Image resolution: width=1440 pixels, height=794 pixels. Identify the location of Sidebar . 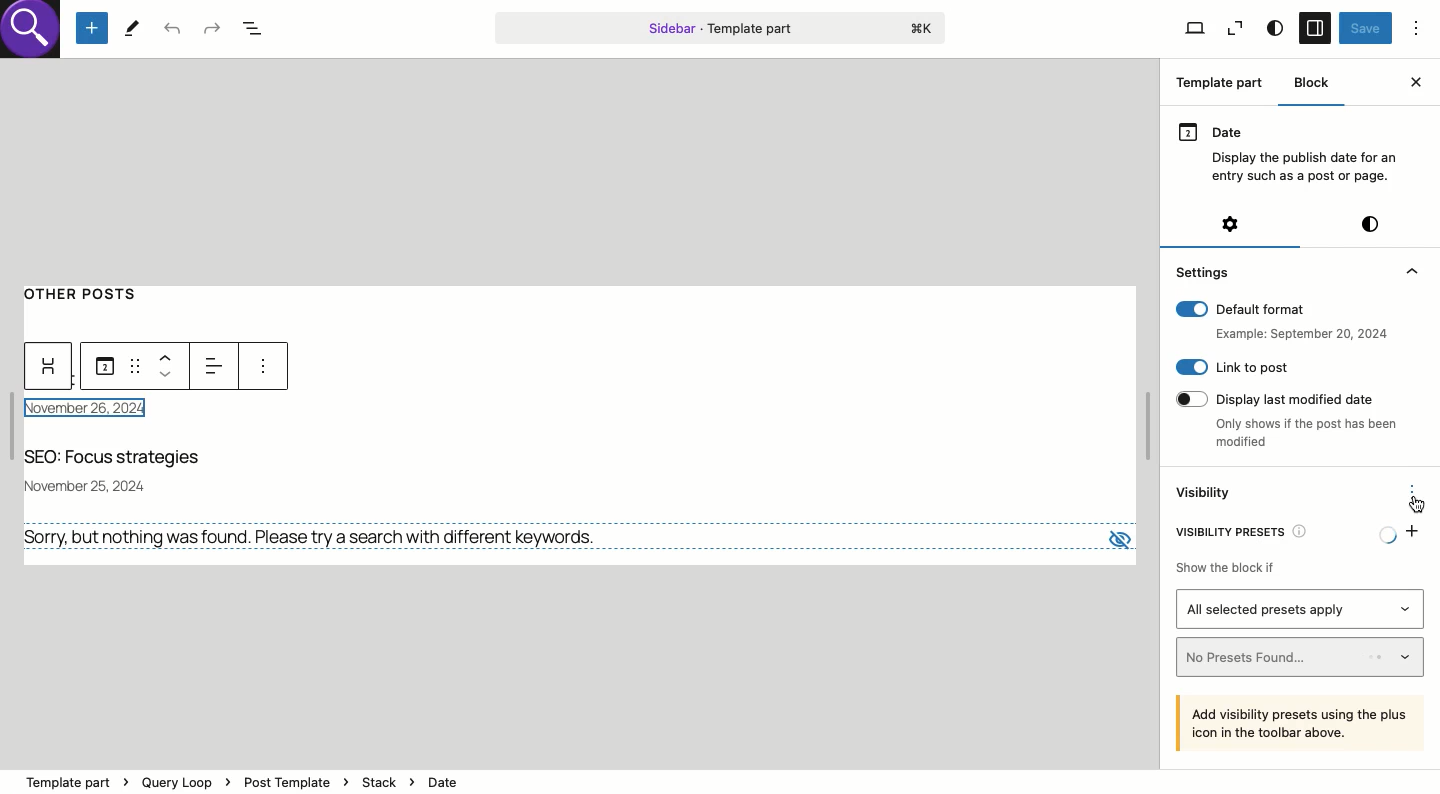
(1314, 29).